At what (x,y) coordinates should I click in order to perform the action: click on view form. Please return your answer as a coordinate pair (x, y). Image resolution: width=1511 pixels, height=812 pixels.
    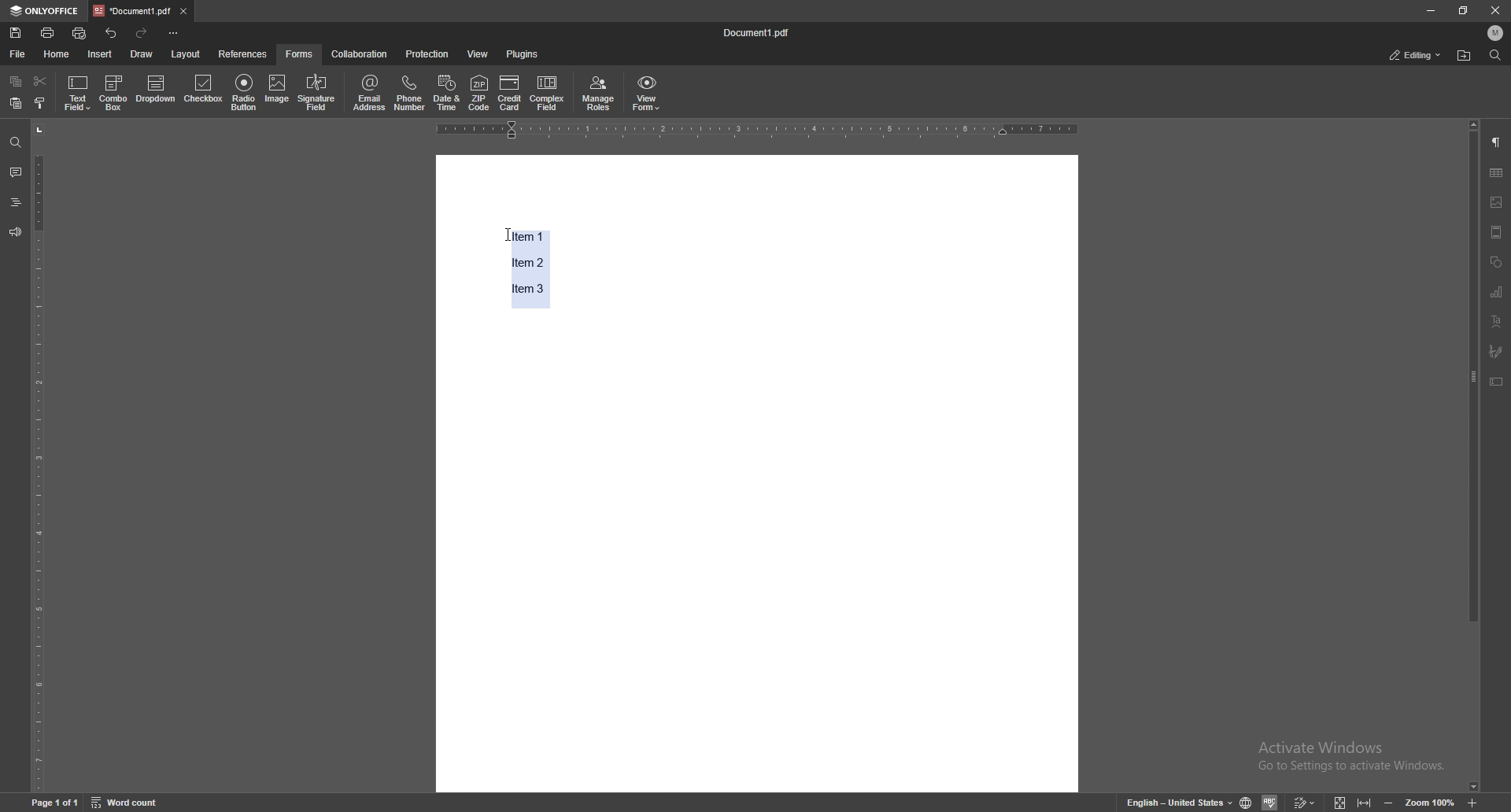
    Looking at the image, I should click on (648, 94).